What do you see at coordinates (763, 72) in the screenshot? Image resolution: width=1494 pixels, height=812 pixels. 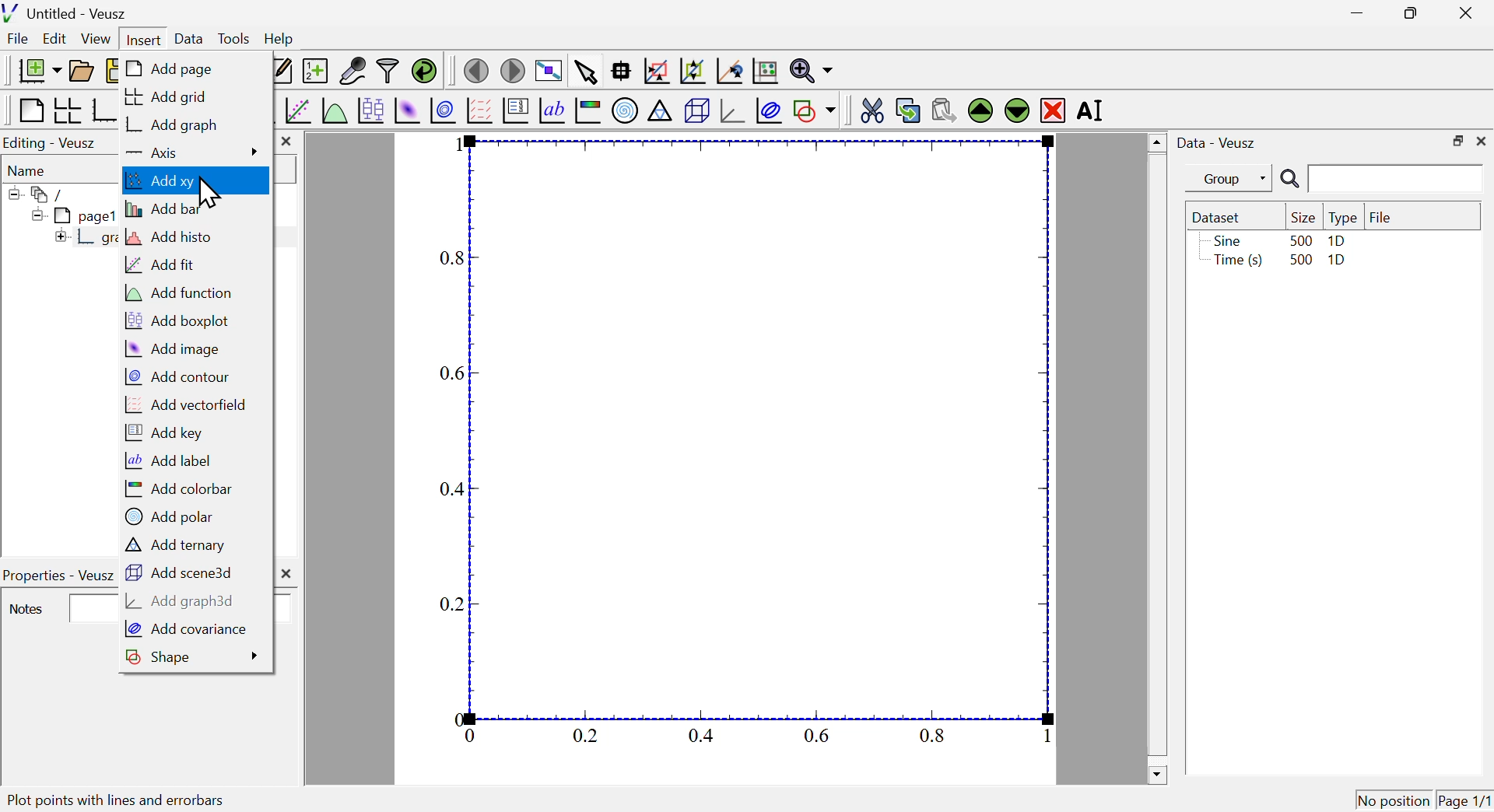 I see `rest graph axes` at bounding box center [763, 72].